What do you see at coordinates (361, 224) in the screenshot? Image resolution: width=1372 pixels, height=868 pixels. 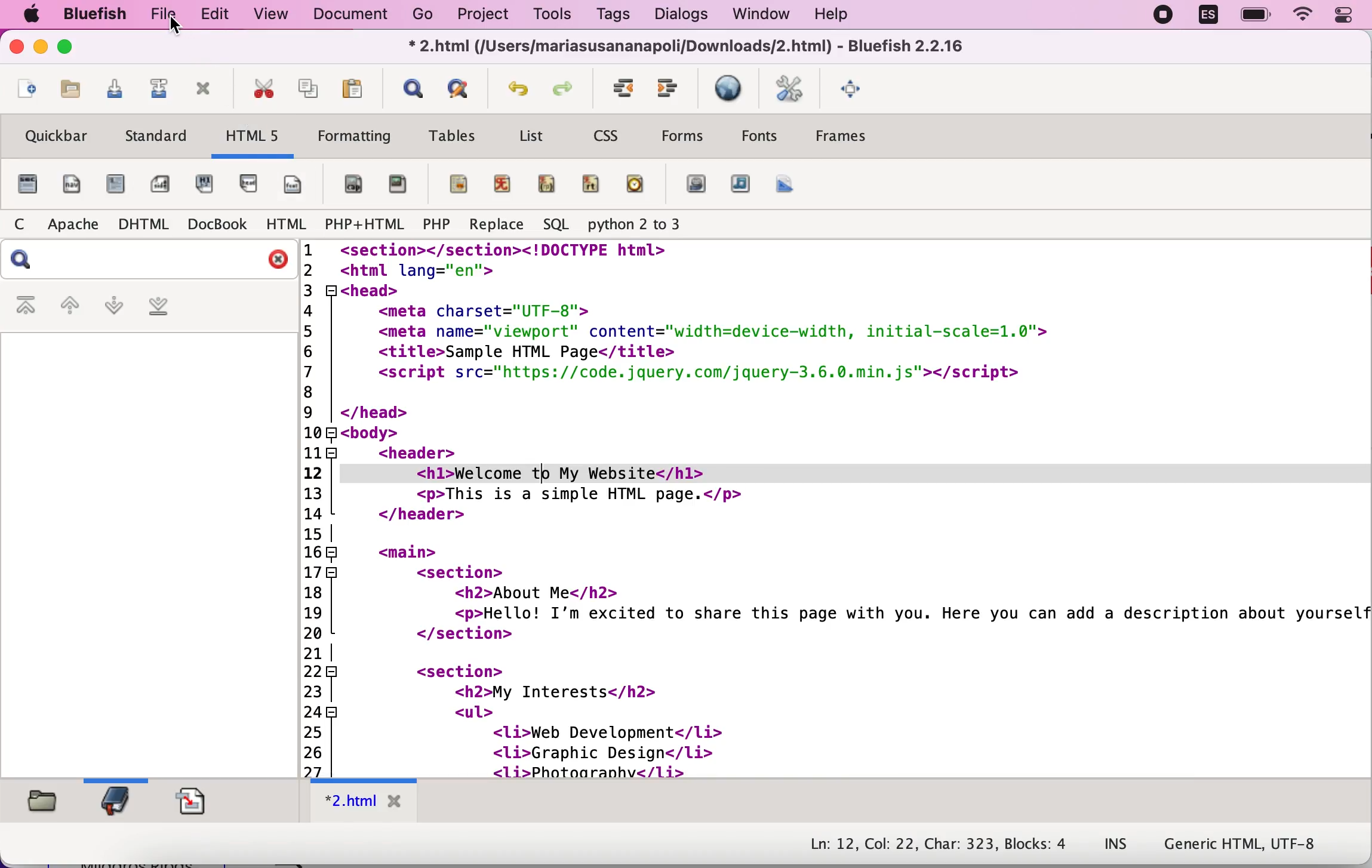 I see `php+html` at bounding box center [361, 224].